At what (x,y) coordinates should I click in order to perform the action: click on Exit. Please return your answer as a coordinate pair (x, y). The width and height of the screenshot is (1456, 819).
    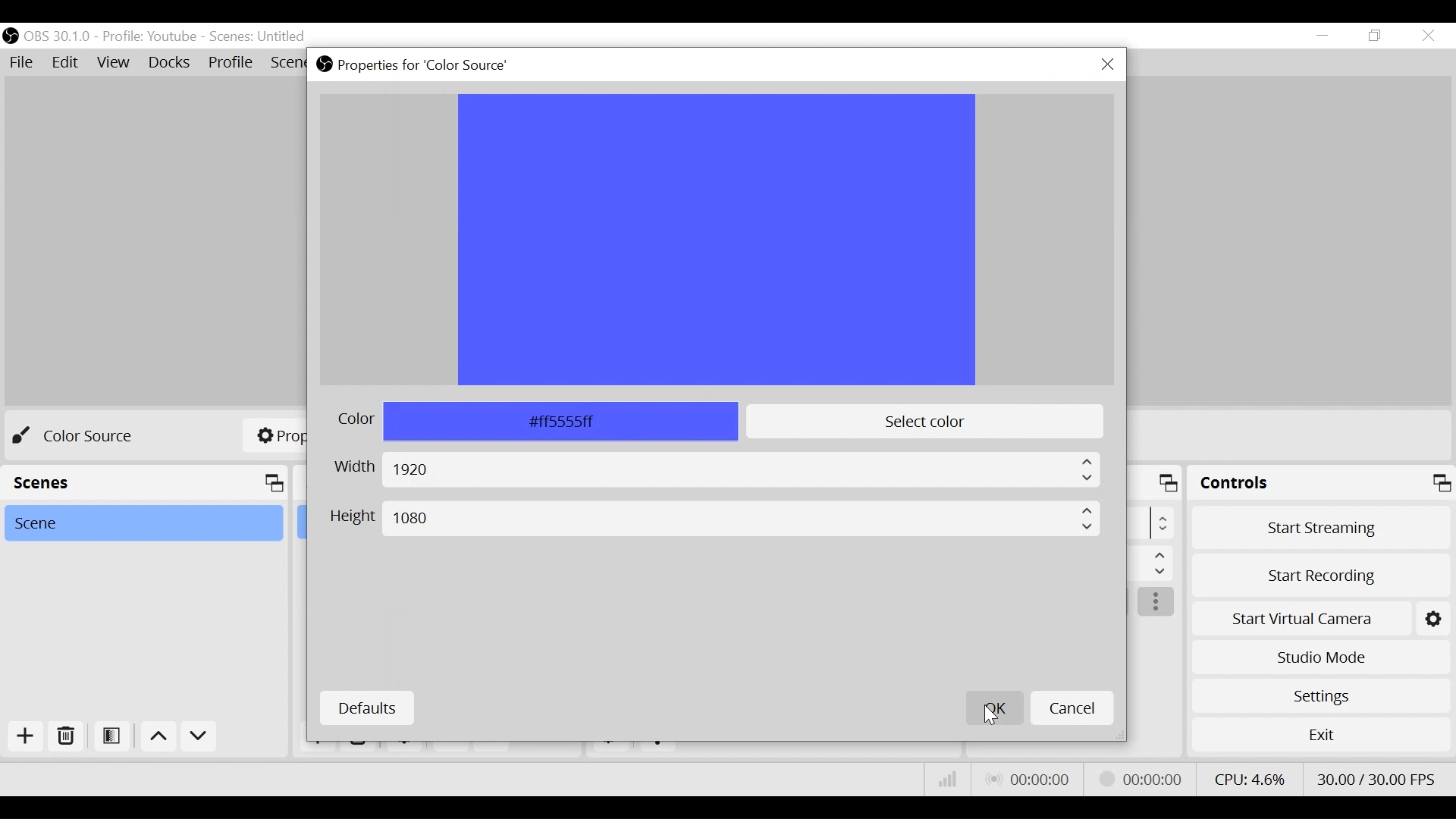
    Looking at the image, I should click on (1321, 739).